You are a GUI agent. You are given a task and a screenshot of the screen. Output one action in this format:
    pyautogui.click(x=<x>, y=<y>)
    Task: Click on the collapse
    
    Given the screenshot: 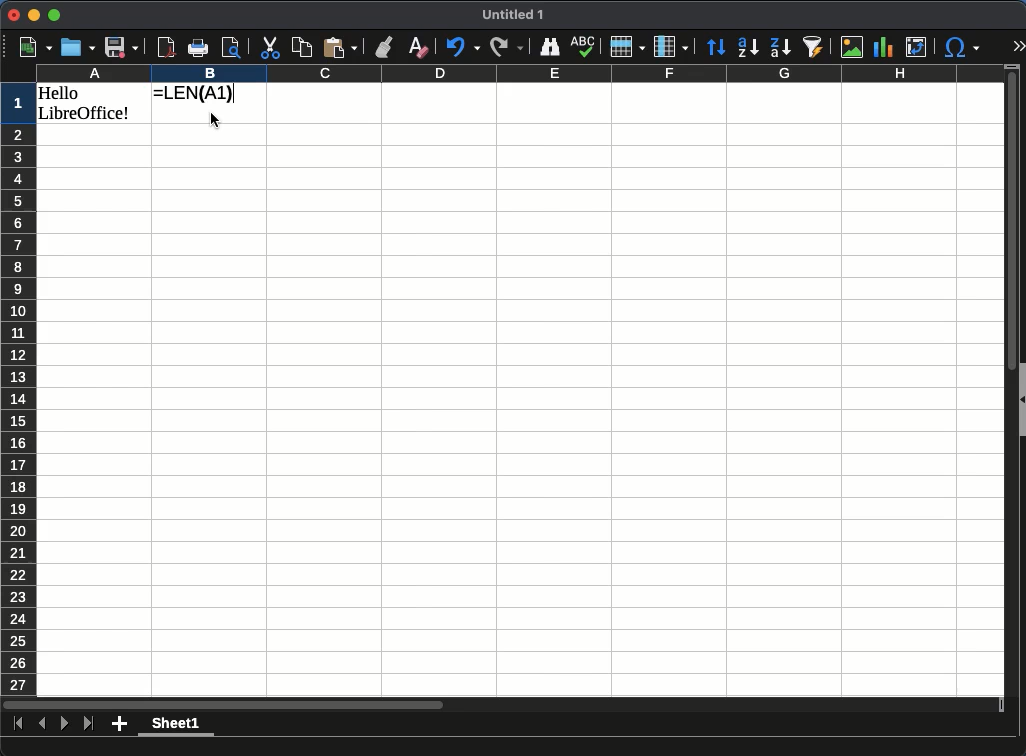 What is the action you would take?
    pyautogui.click(x=1020, y=401)
    